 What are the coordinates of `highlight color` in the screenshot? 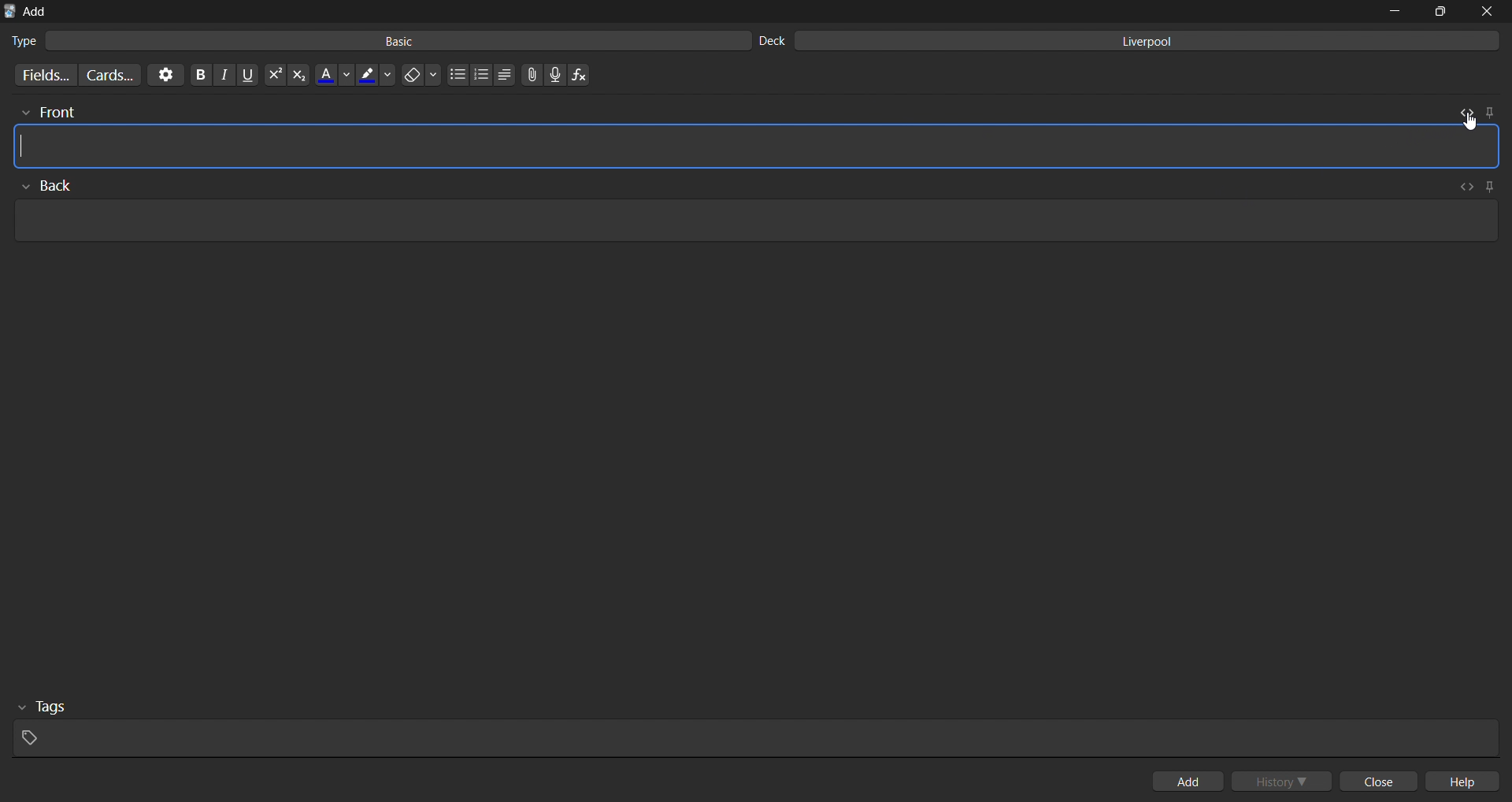 It's located at (377, 72).